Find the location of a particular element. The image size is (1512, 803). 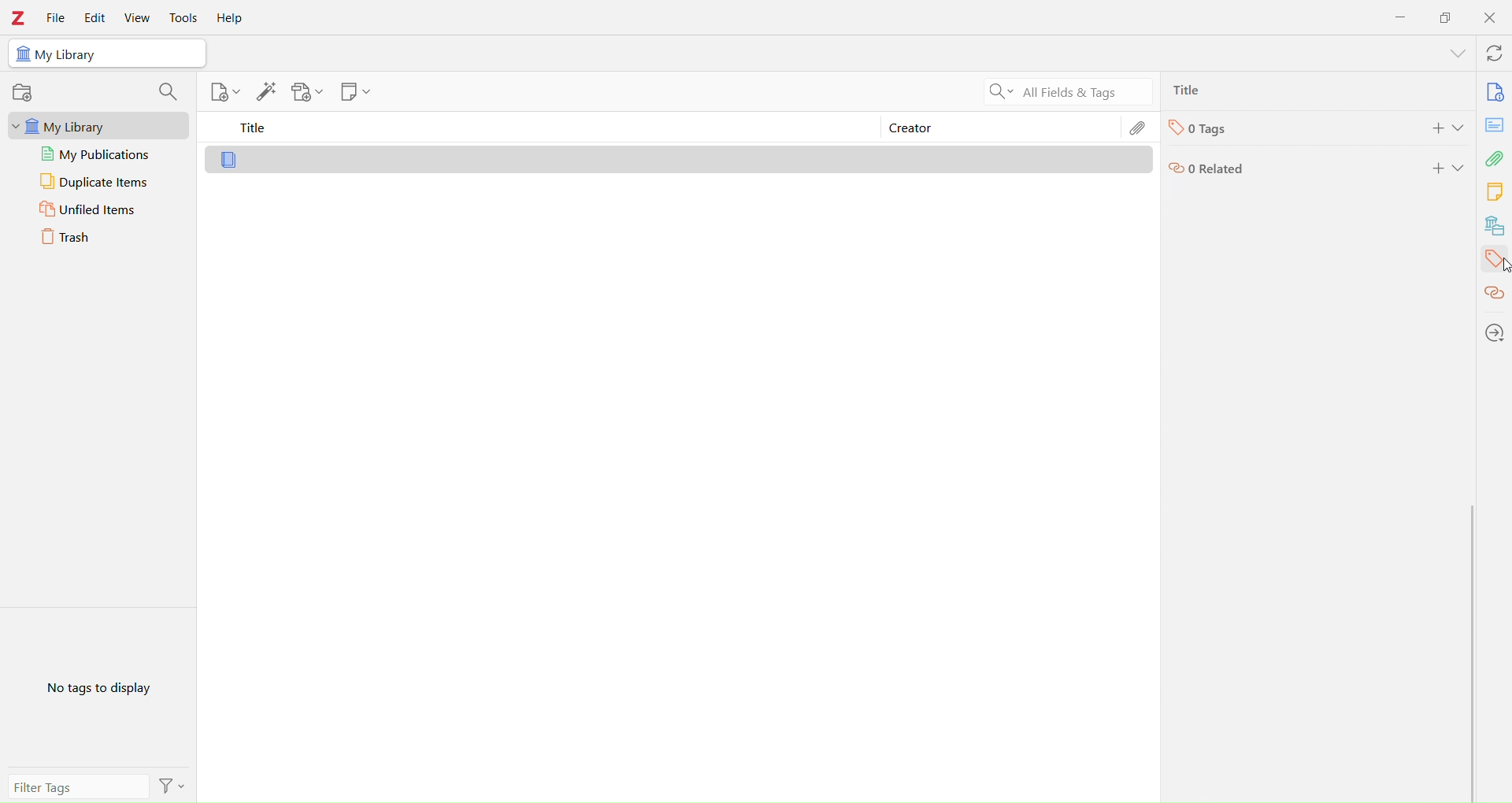

Library tools is located at coordinates (284, 93).